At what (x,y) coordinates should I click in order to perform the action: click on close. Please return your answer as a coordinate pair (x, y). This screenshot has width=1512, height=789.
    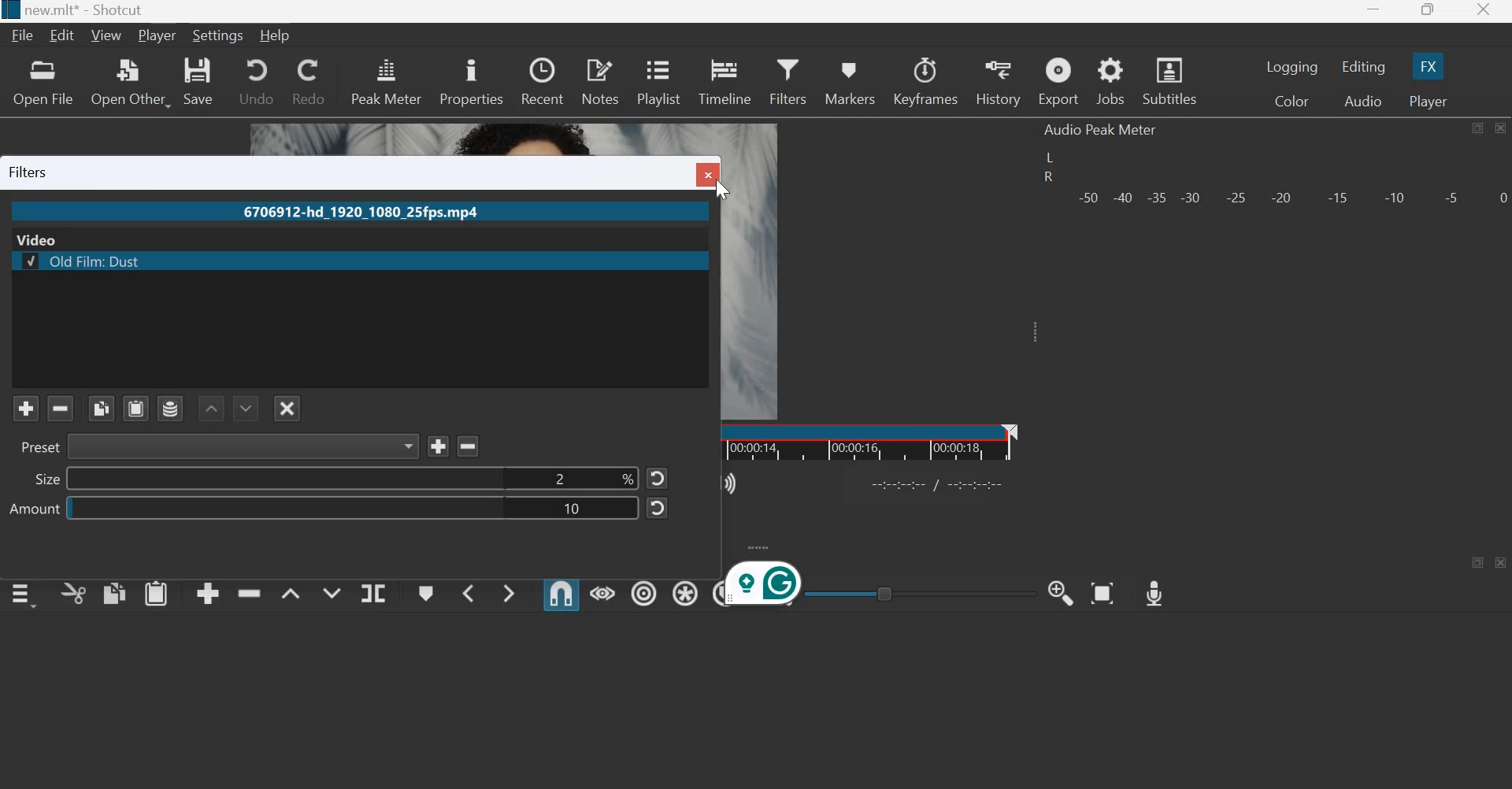
    Looking at the image, I should click on (1482, 12).